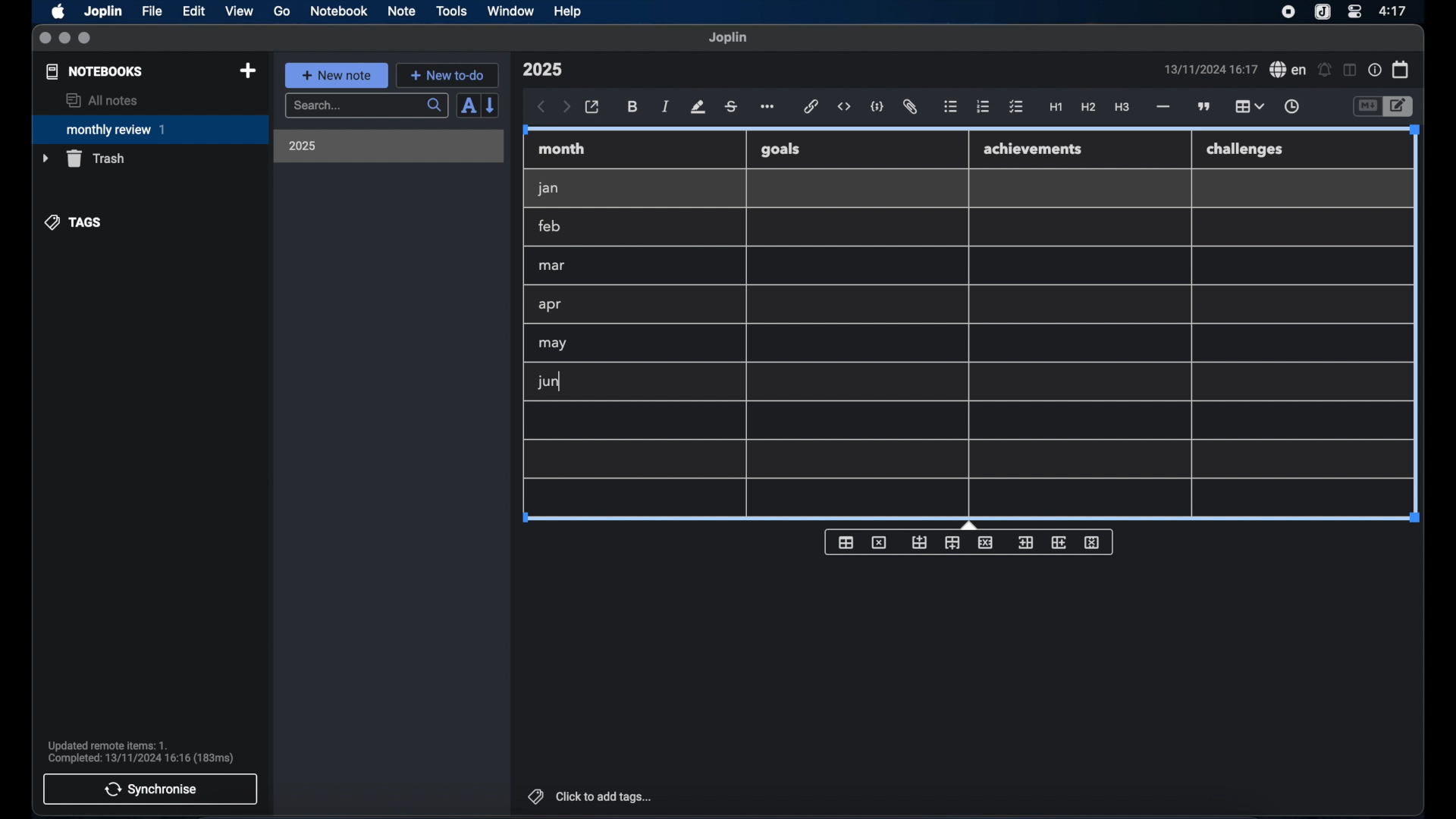  Describe the element at coordinates (1321, 13) in the screenshot. I see `joplin icon` at that location.